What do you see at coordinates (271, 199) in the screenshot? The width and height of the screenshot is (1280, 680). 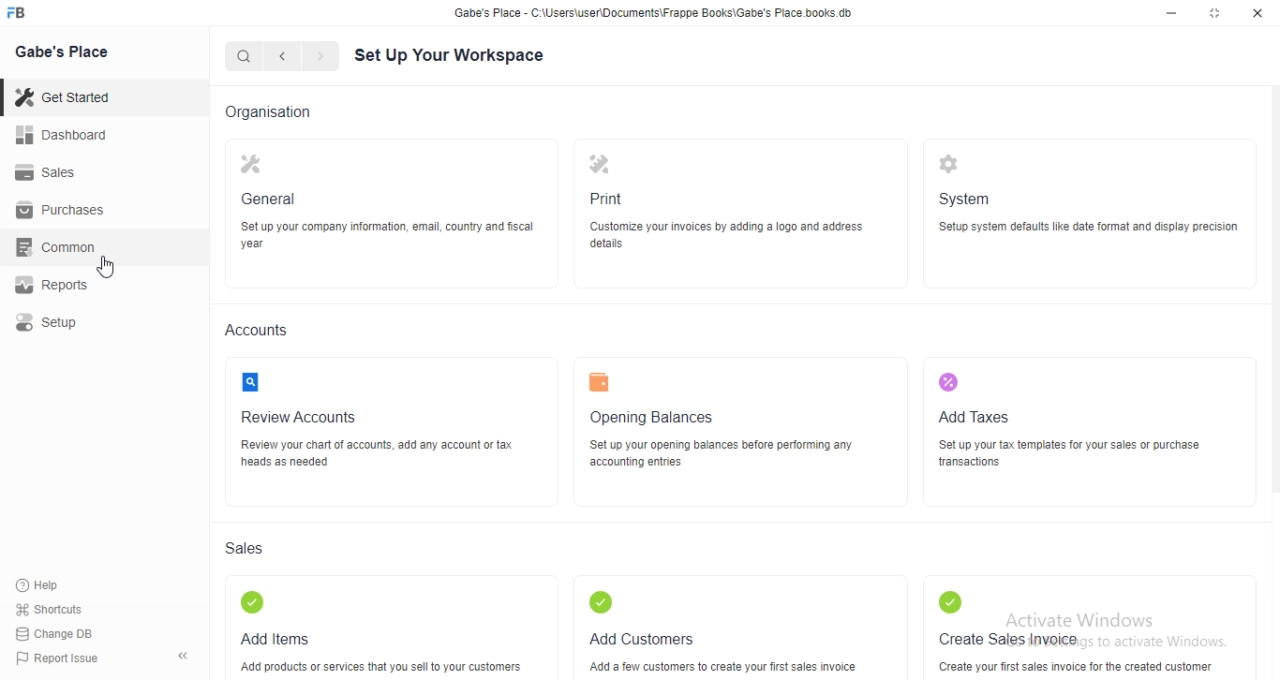 I see `General` at bounding box center [271, 199].